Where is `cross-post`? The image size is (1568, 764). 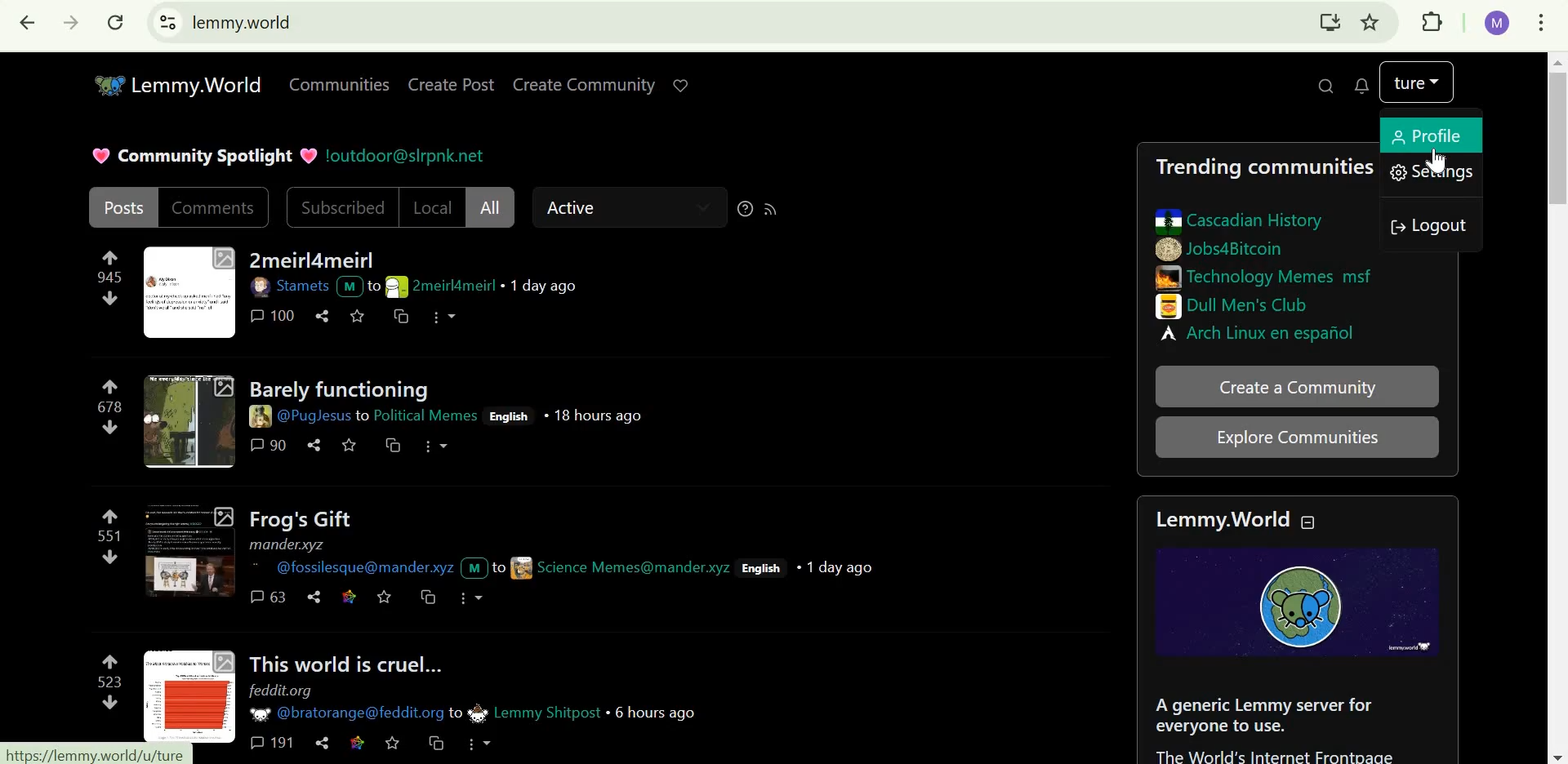 cross-post is located at coordinates (425, 597).